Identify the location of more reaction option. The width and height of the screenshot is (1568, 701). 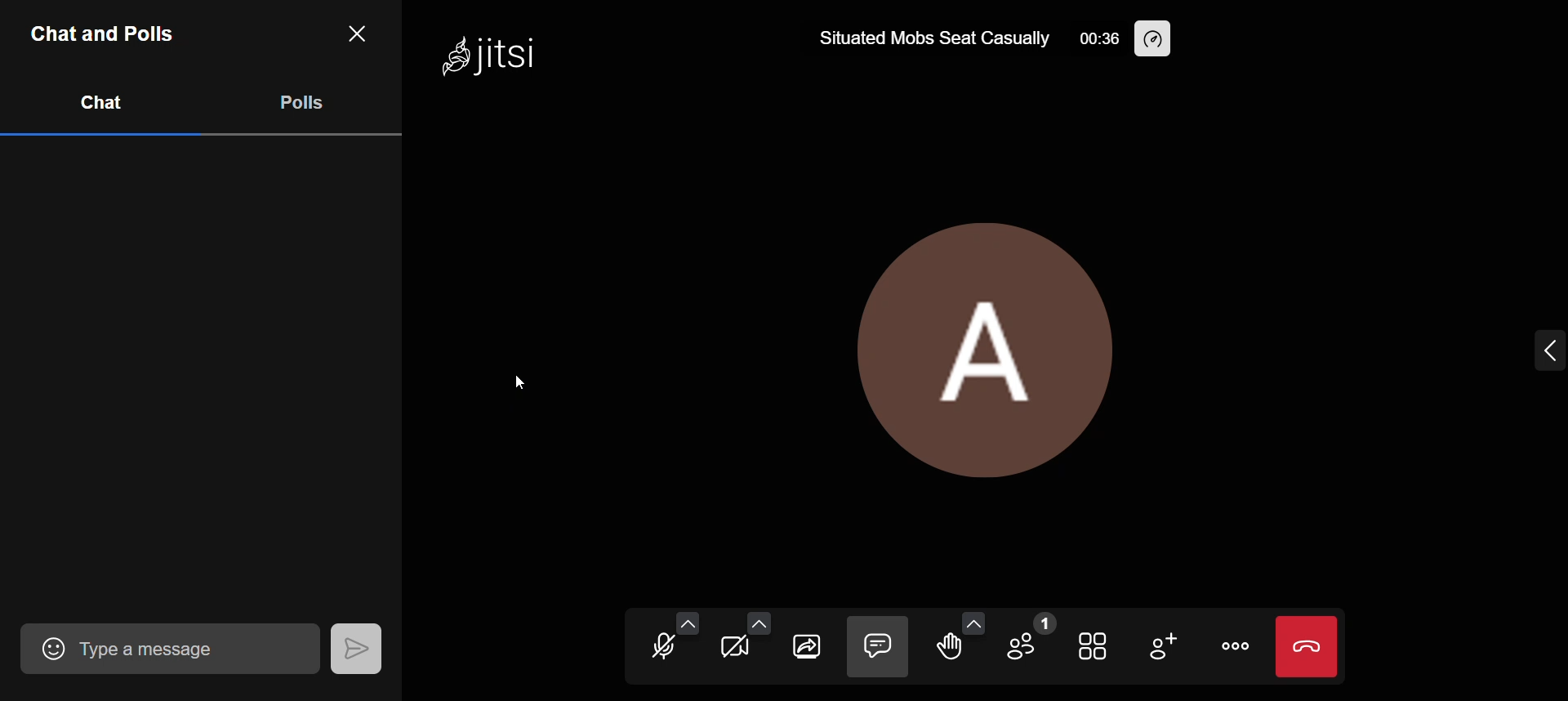
(970, 618).